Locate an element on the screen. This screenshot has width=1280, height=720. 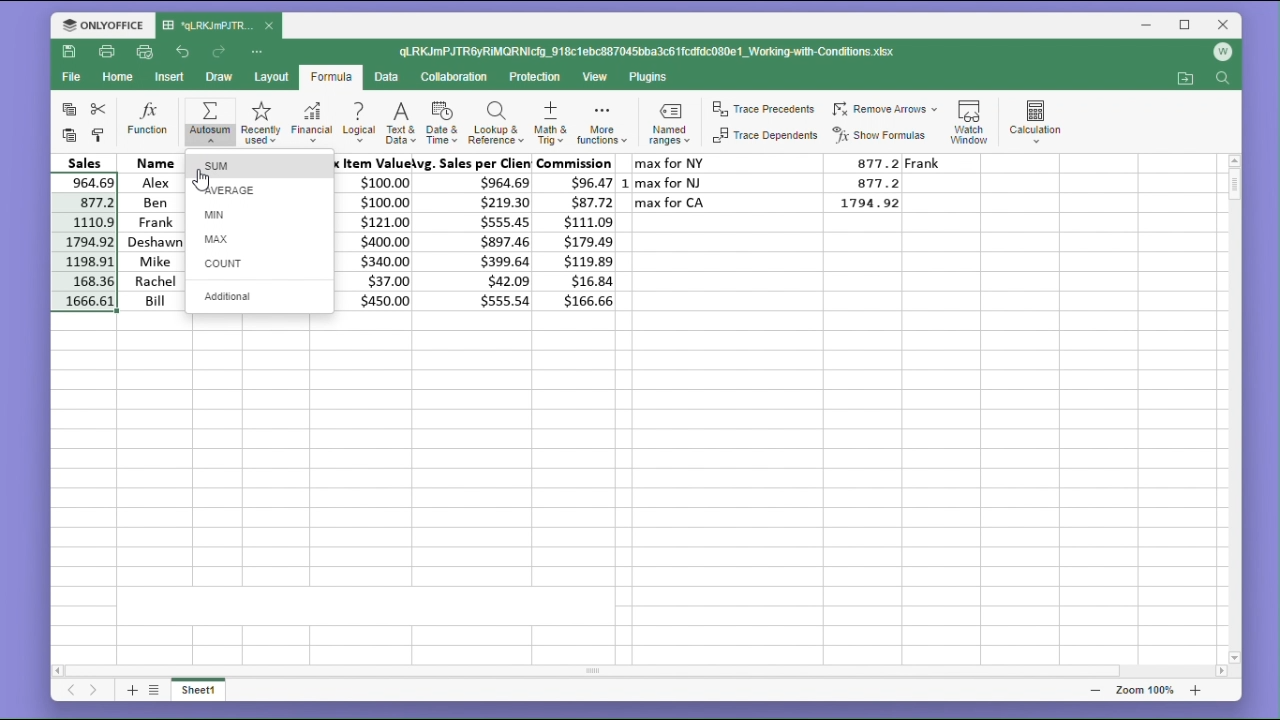
save is located at coordinates (70, 55).